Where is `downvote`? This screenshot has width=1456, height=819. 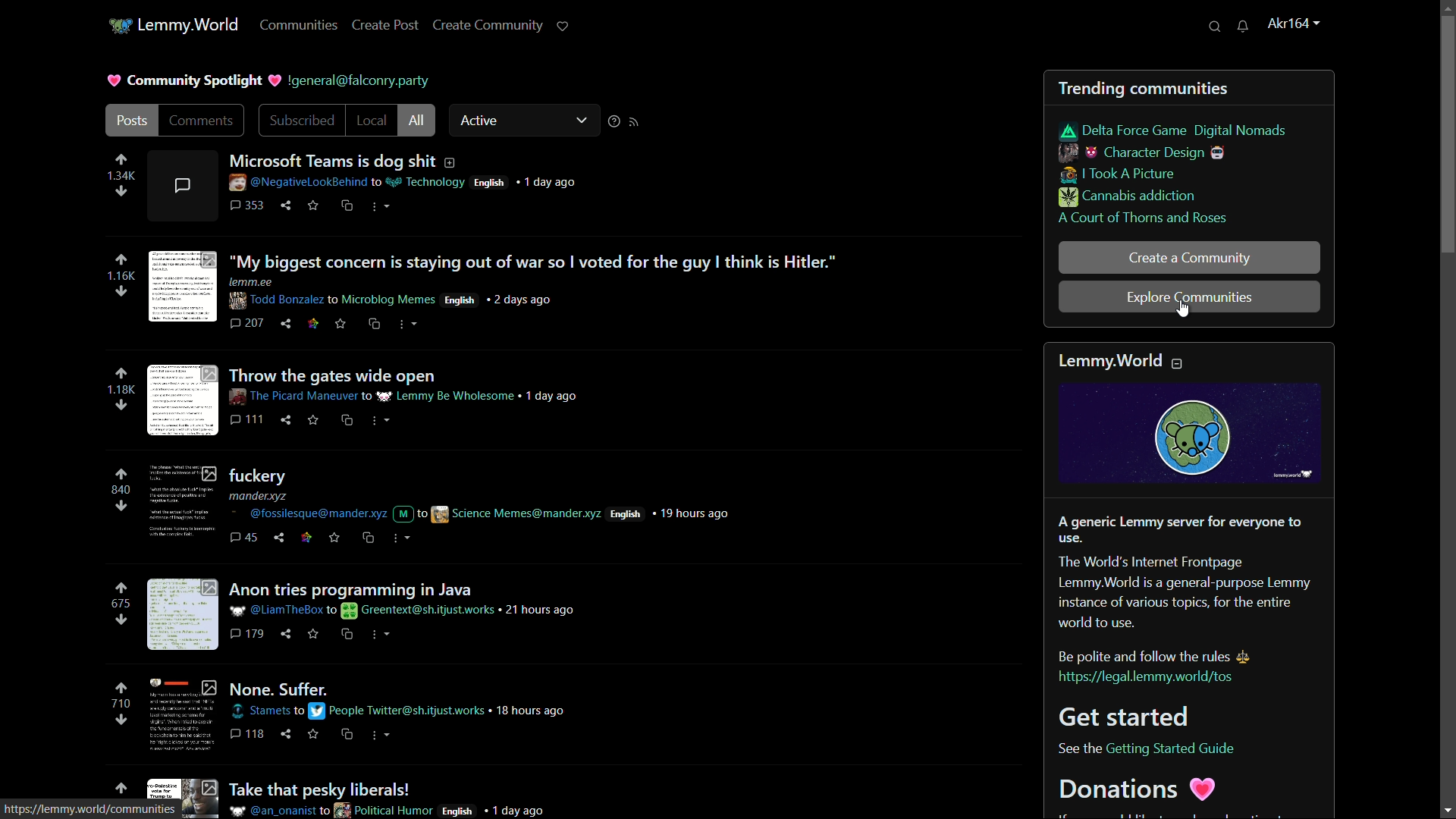
downvote is located at coordinates (119, 290).